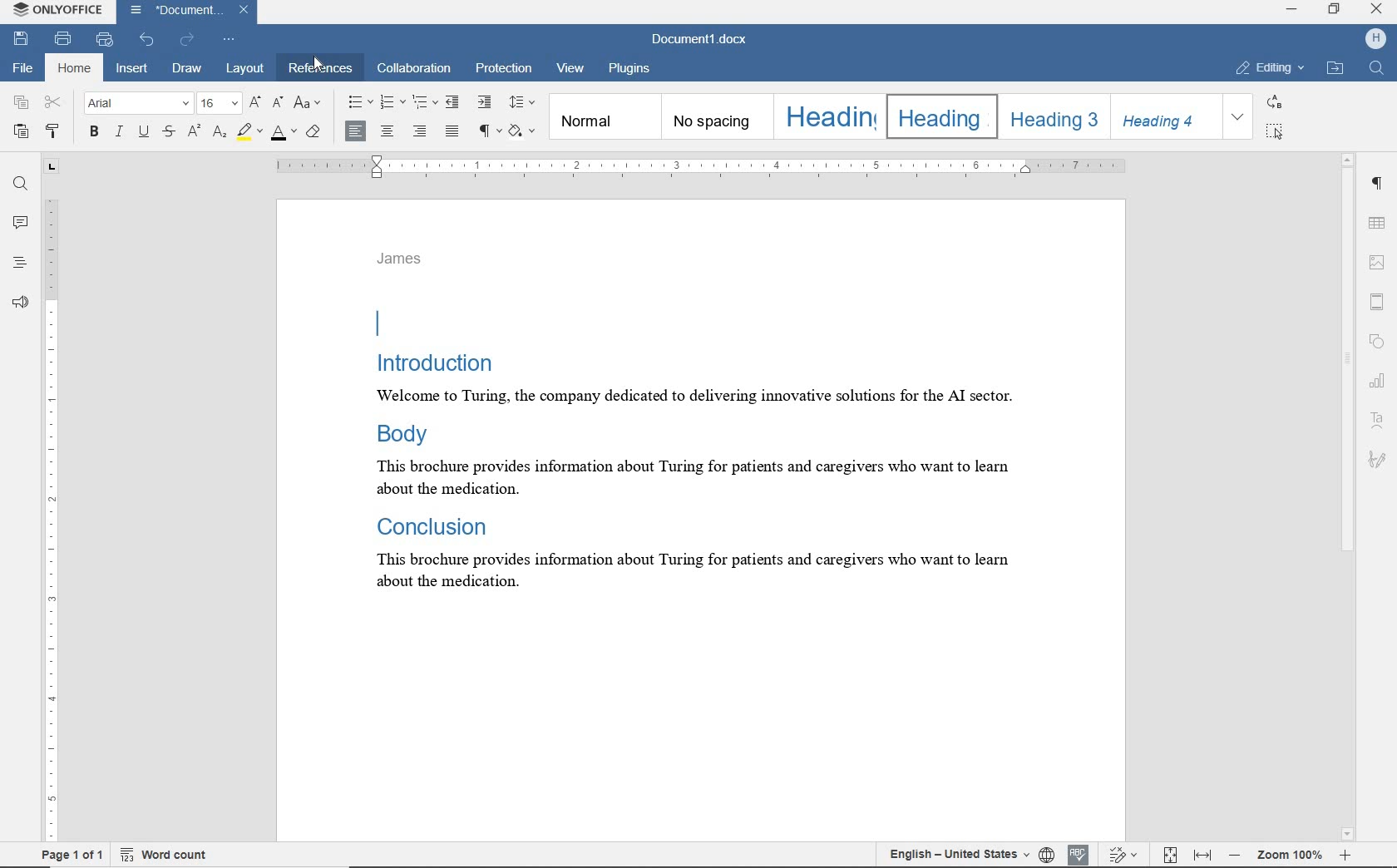 The image size is (1397, 868). I want to click on feedback & support, so click(20, 301).